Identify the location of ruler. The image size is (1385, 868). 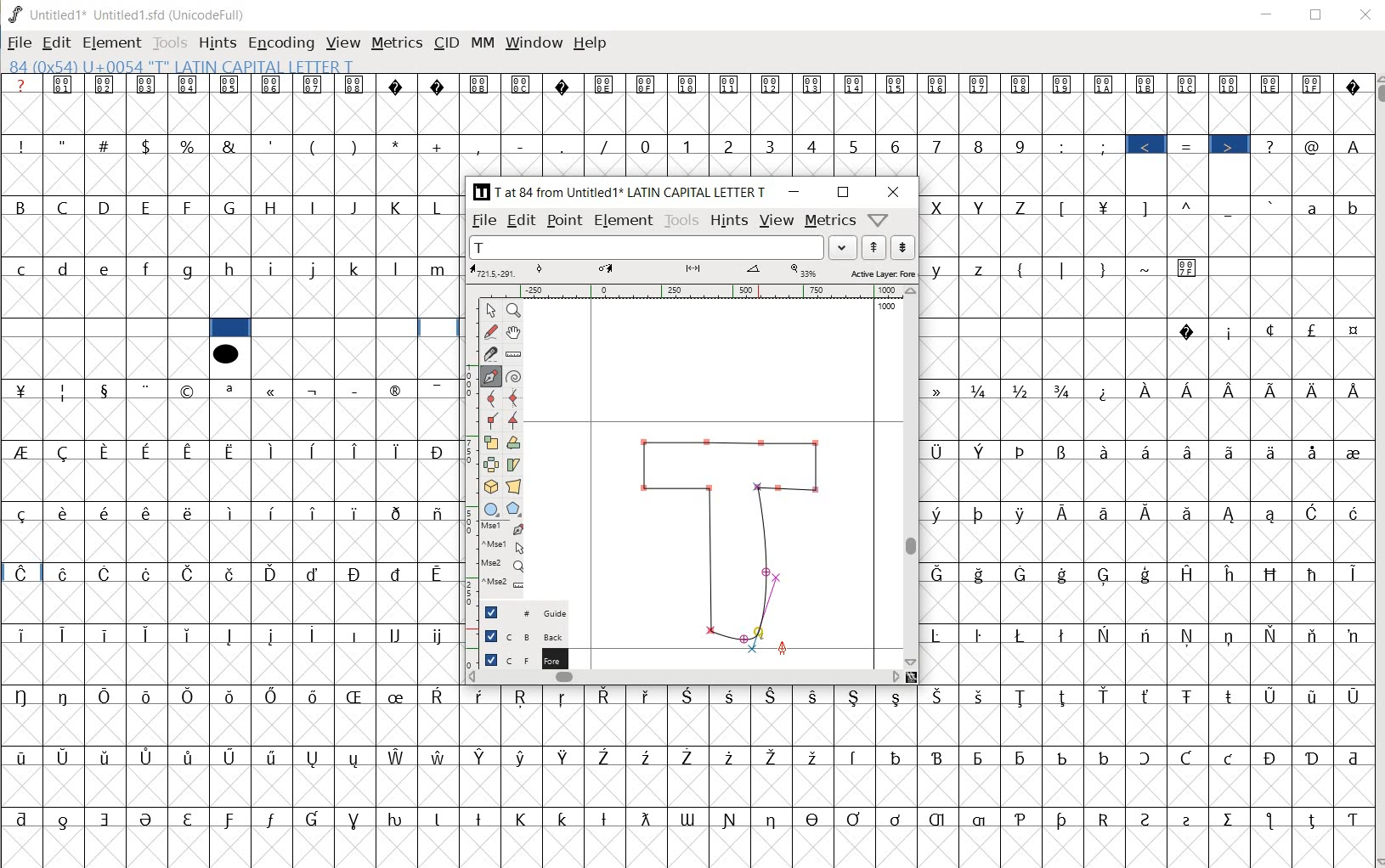
(514, 353).